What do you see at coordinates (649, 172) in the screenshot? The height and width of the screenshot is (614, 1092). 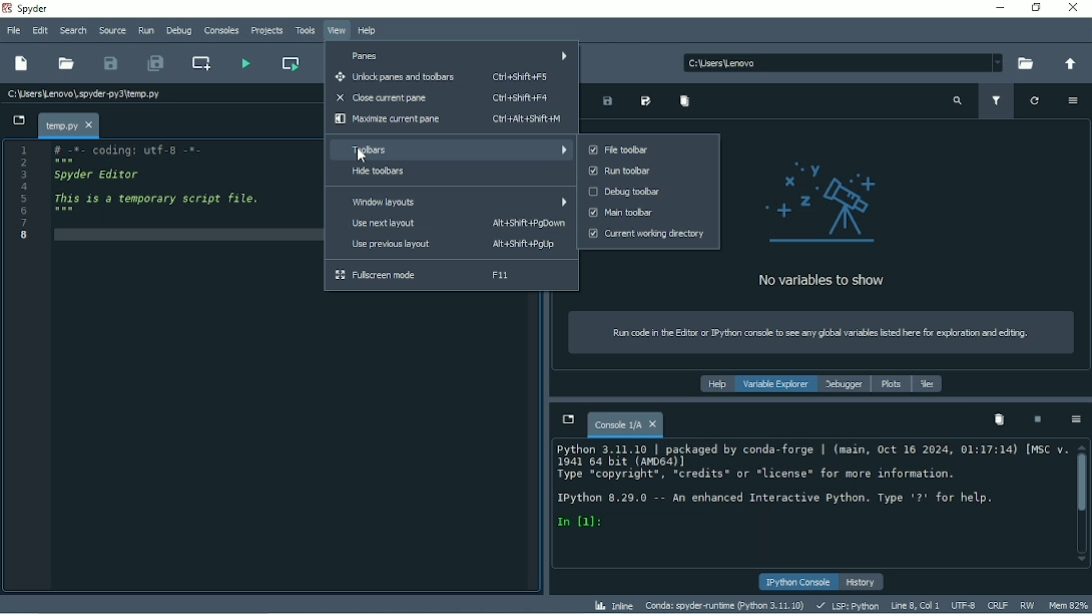 I see `Run toolbar` at bounding box center [649, 172].